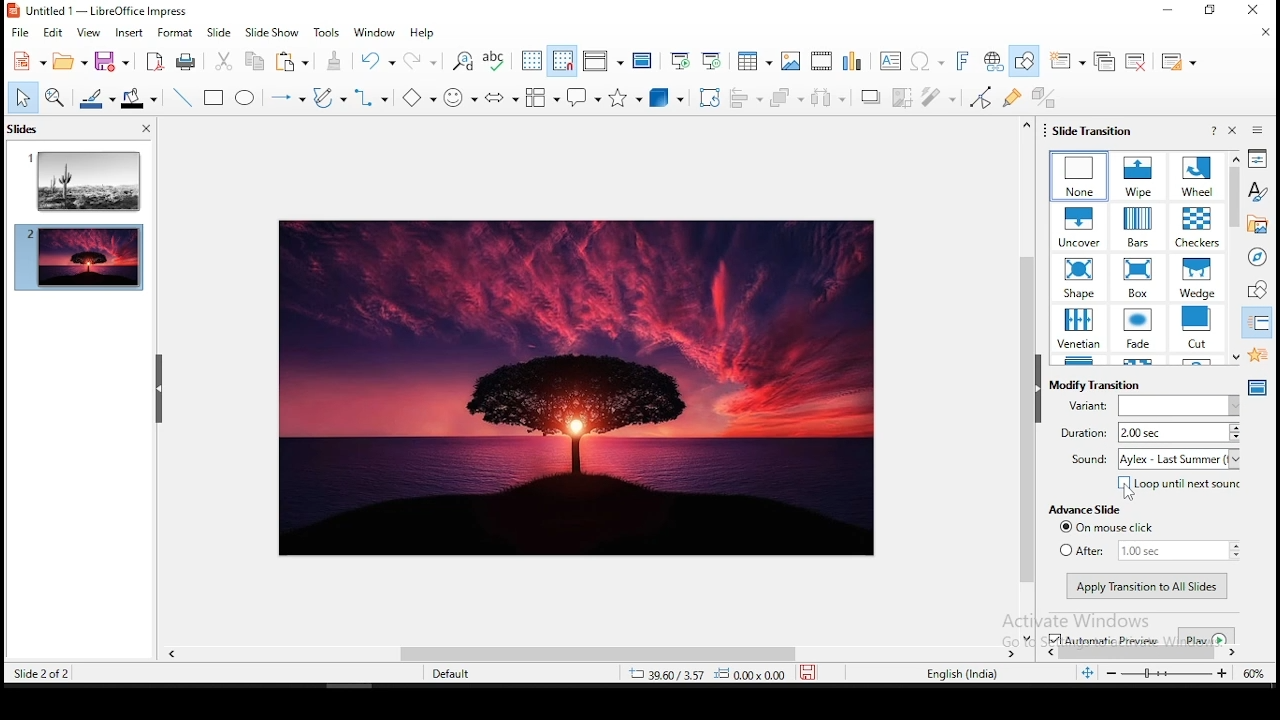  What do you see at coordinates (20, 31) in the screenshot?
I see `file` at bounding box center [20, 31].